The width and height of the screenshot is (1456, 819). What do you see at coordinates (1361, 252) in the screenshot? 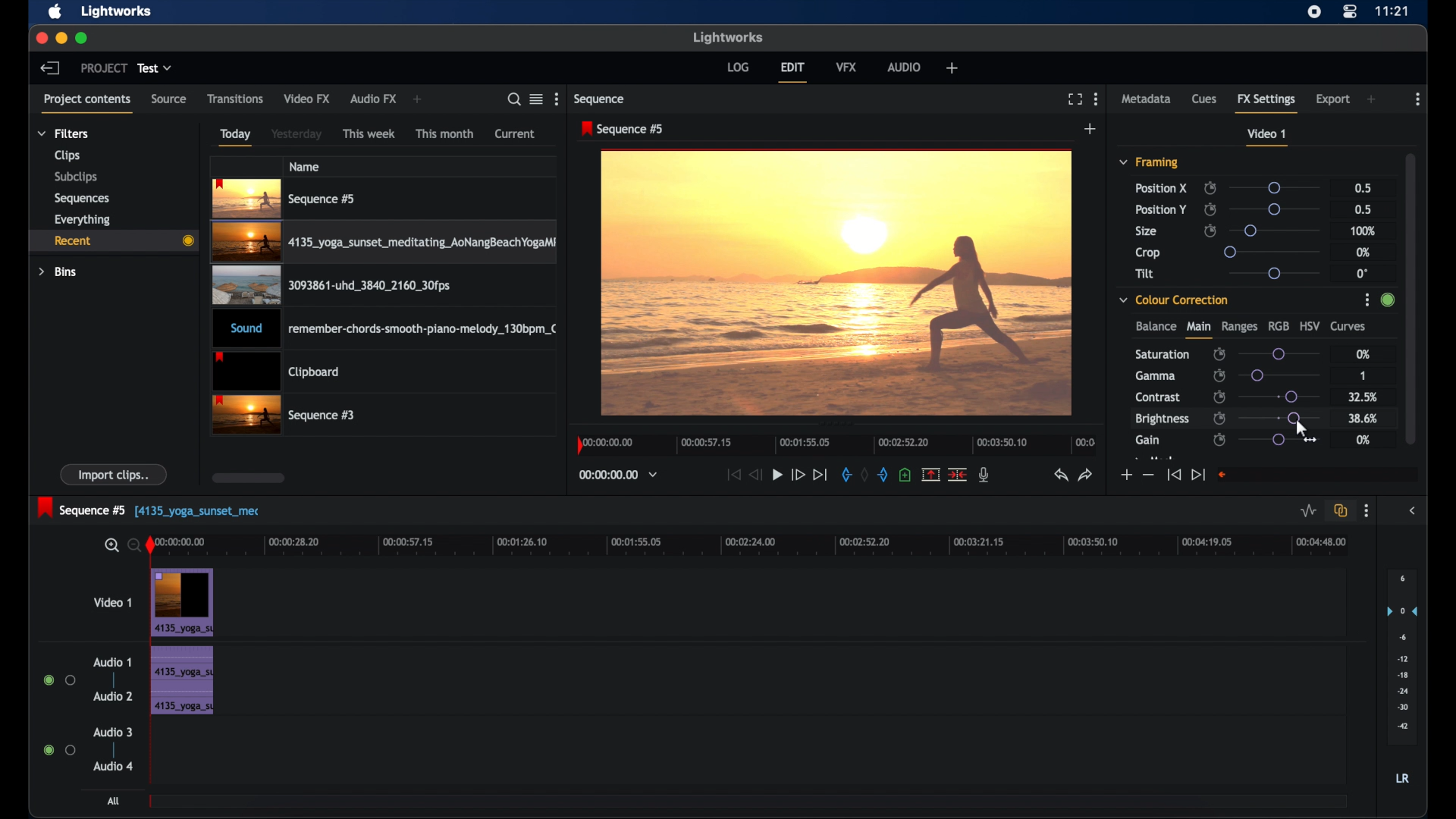
I see `0%` at bounding box center [1361, 252].